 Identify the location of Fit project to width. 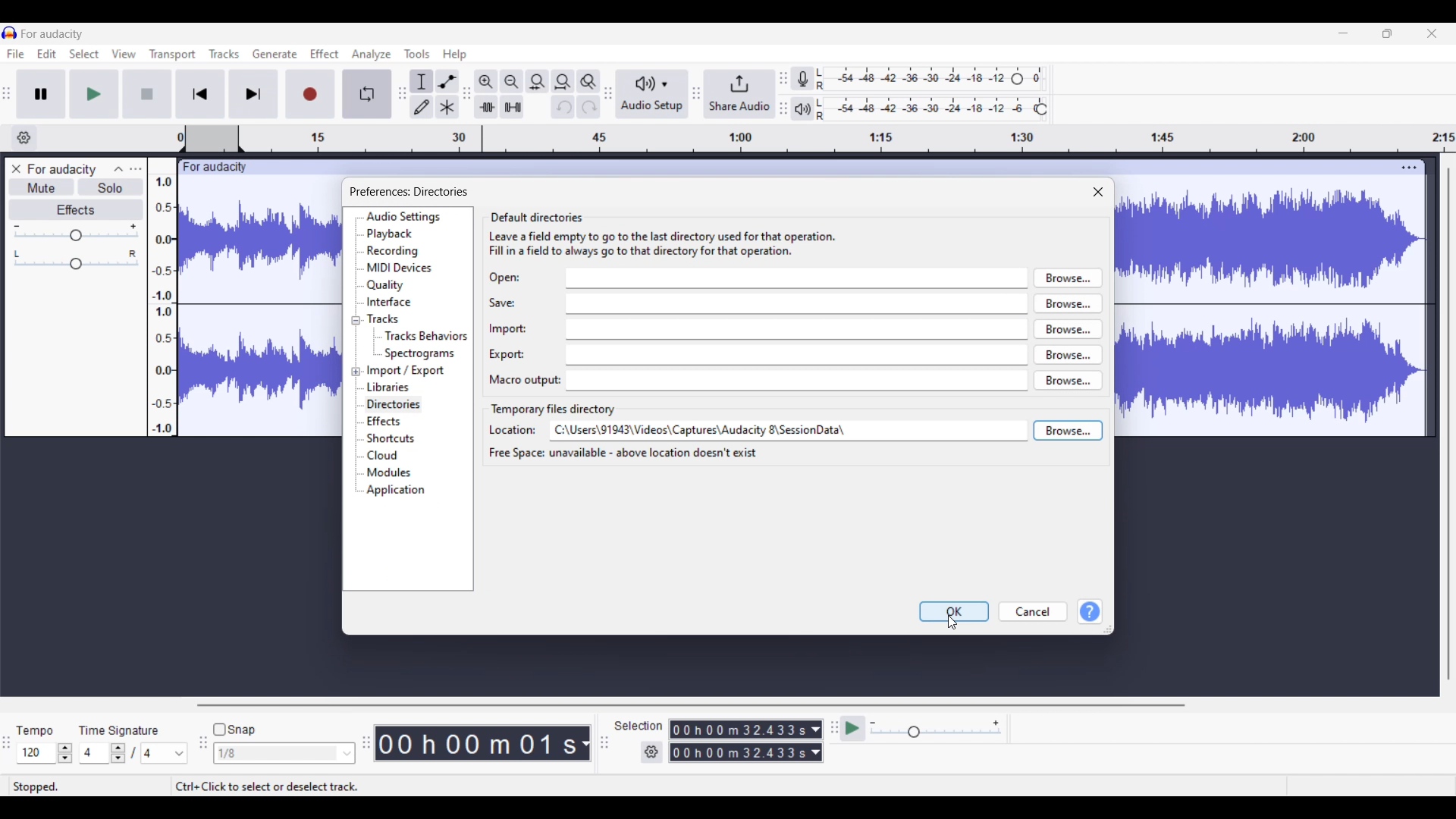
(563, 82).